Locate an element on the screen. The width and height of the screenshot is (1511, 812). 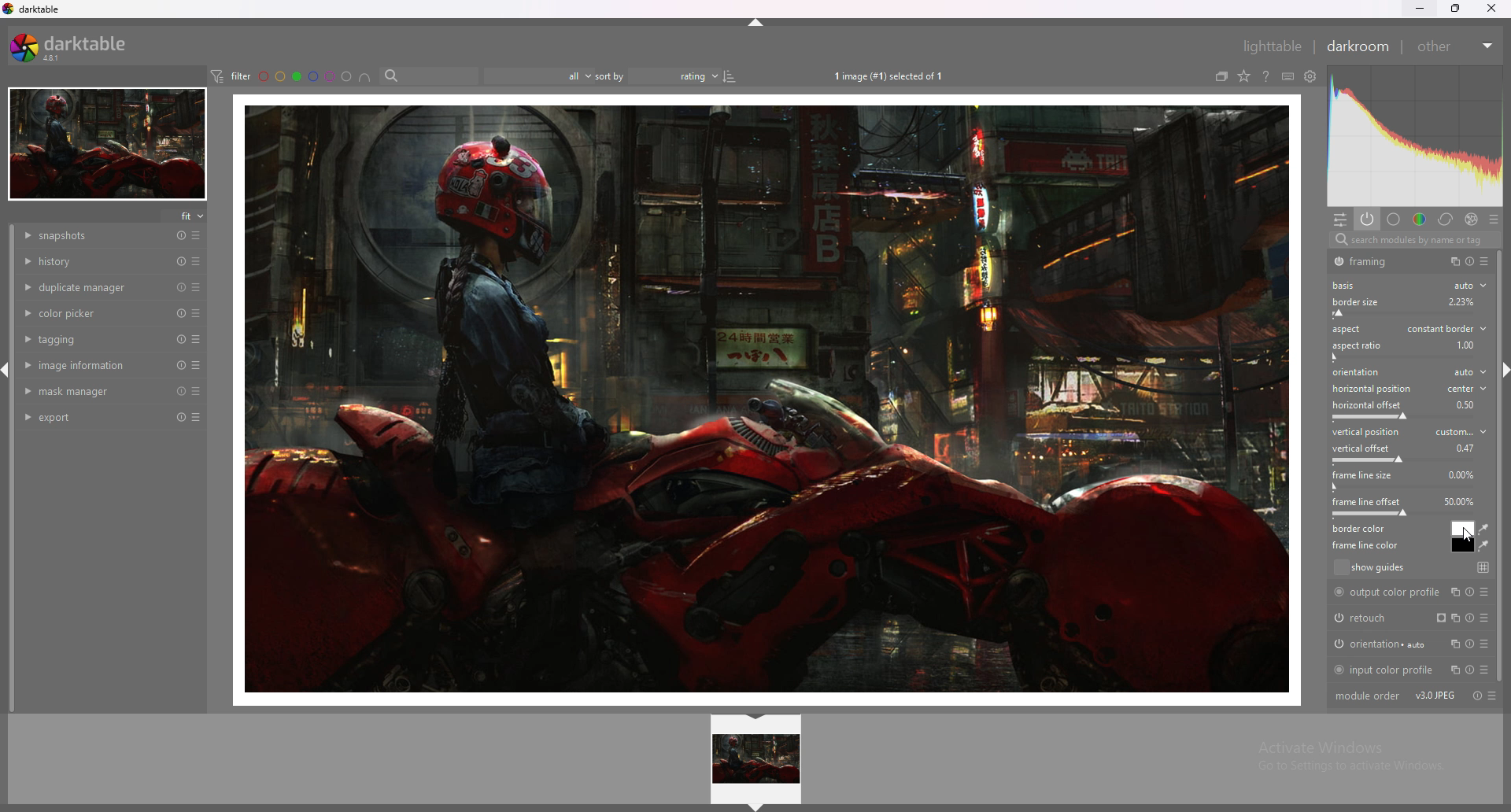
aspect type is located at coordinates (1446, 327).